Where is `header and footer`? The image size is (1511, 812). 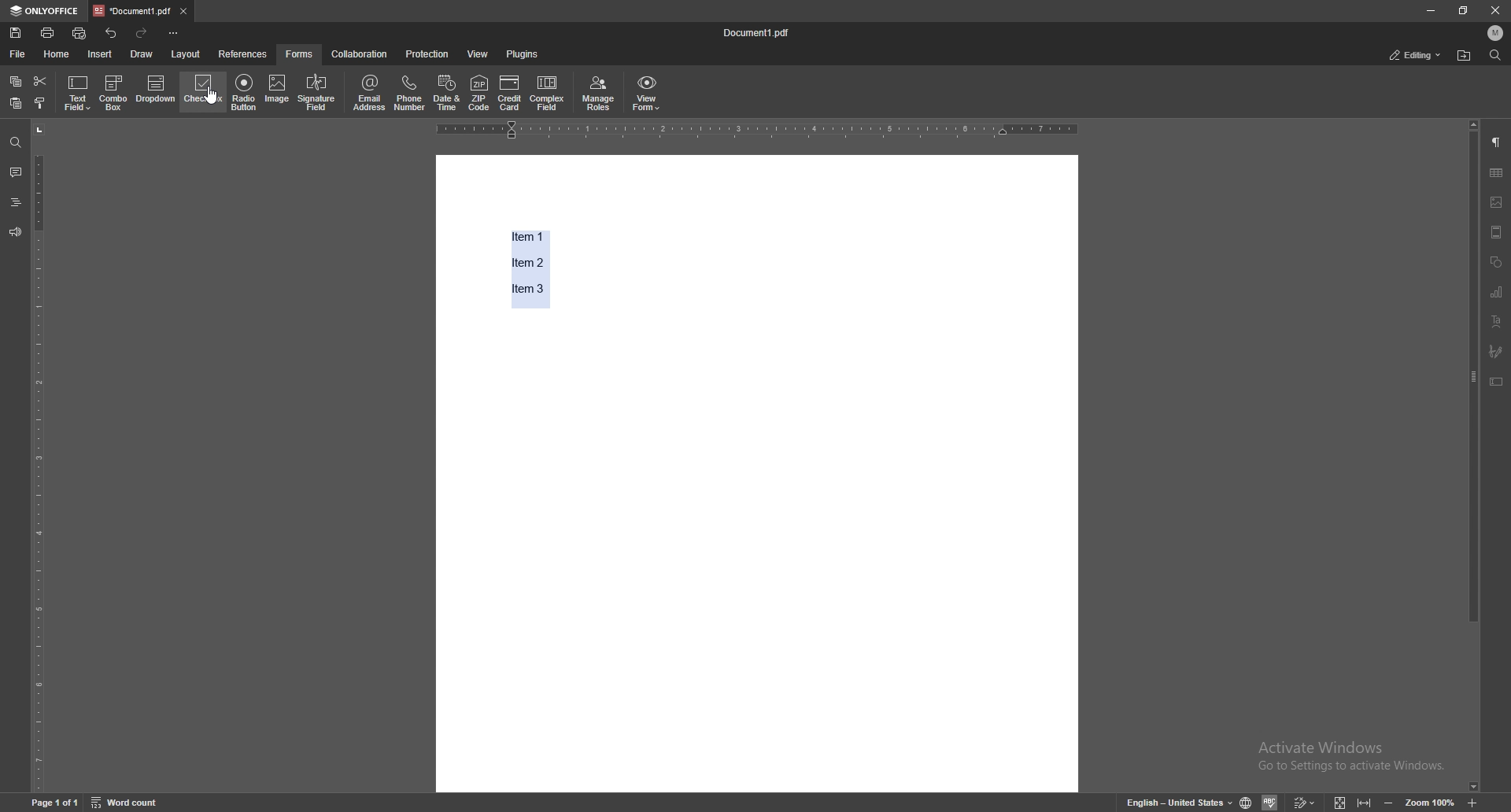
header and footer is located at coordinates (1497, 231).